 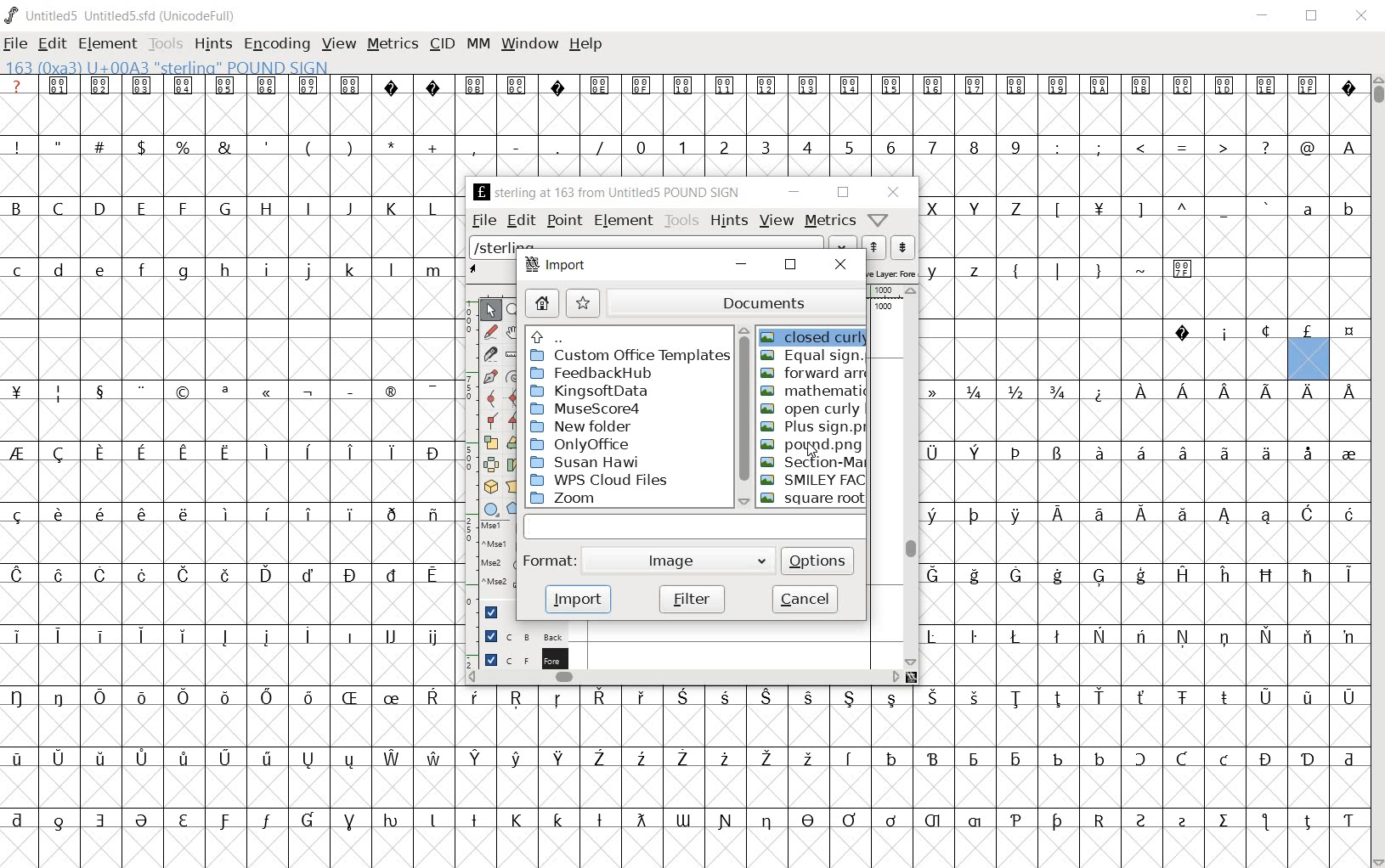 What do you see at coordinates (1348, 758) in the screenshot?
I see `Symbol` at bounding box center [1348, 758].